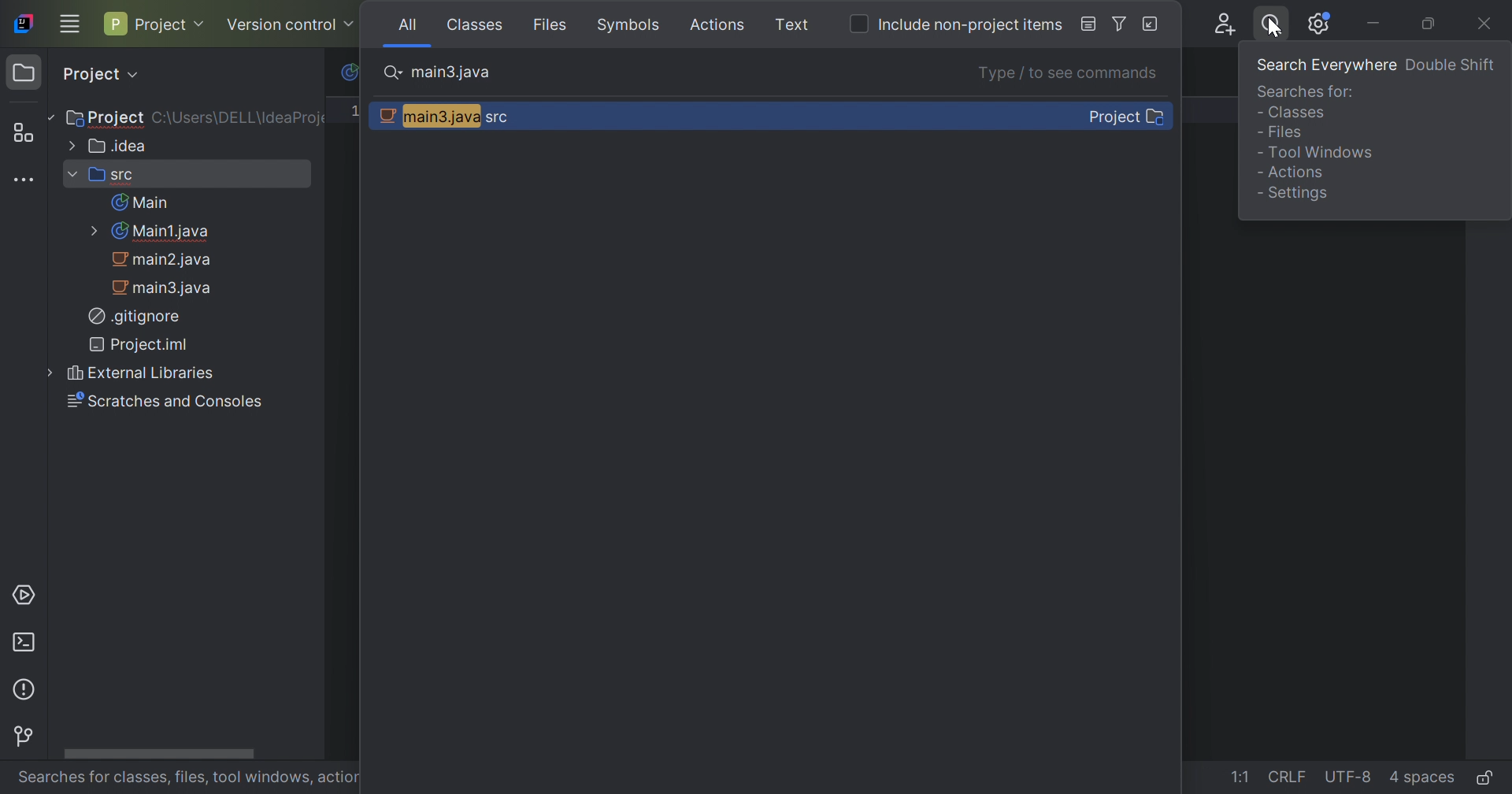  I want to click on Project, so click(102, 118).